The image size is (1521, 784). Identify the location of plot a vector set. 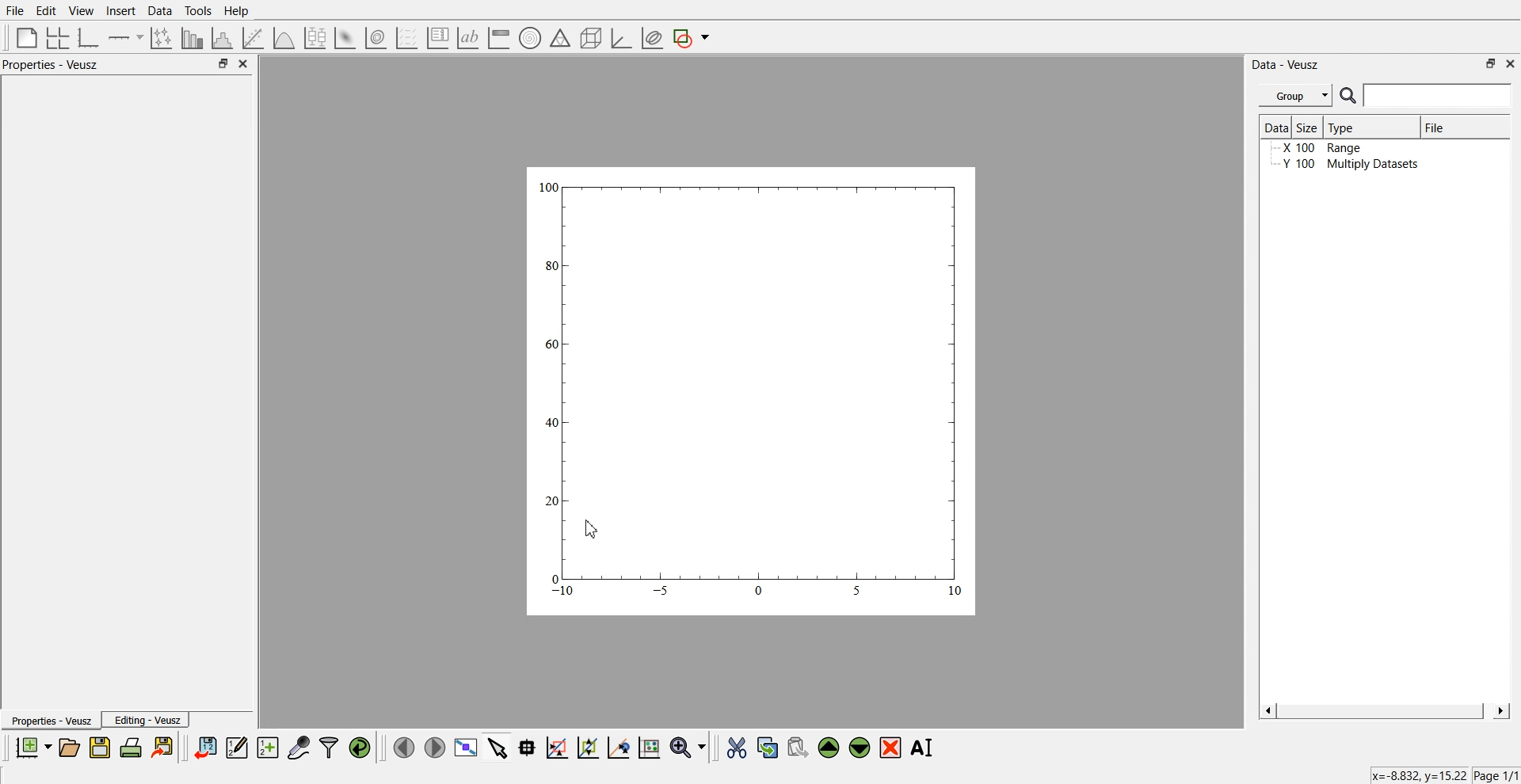
(408, 38).